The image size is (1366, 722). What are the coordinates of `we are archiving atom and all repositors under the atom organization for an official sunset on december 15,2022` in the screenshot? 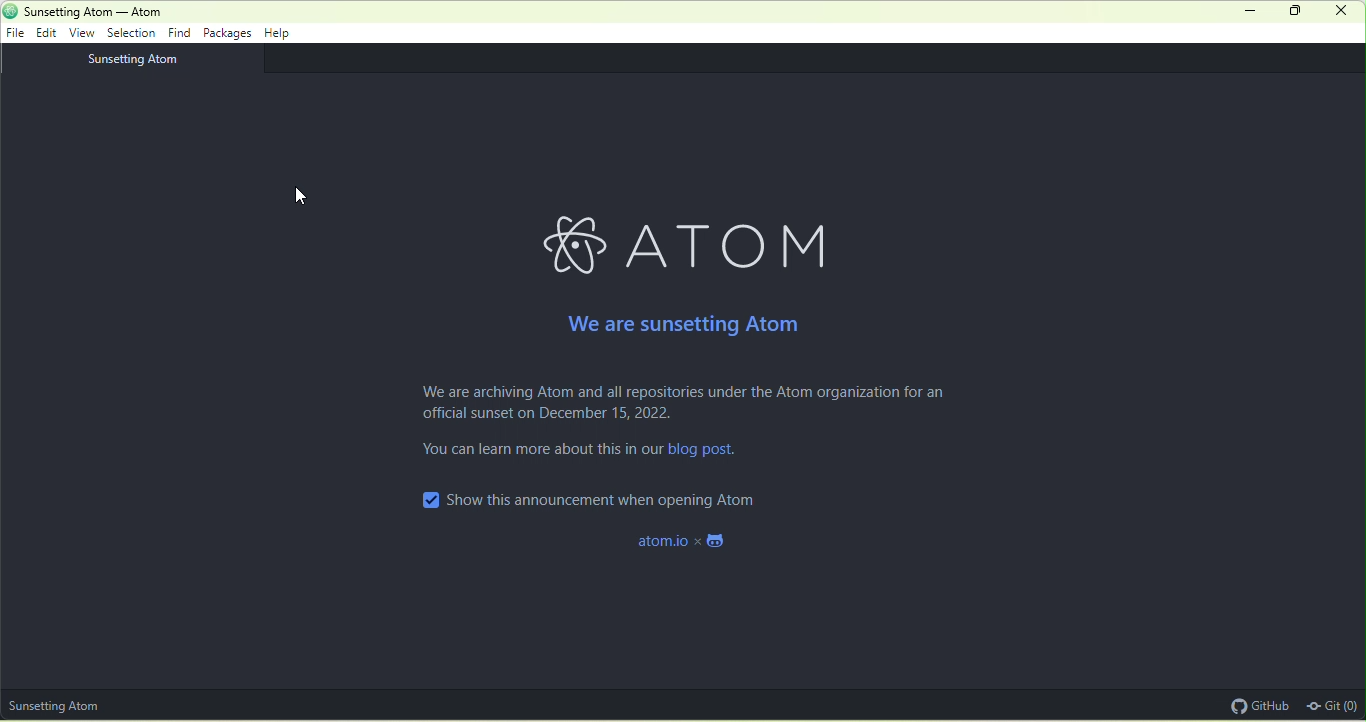 It's located at (687, 407).